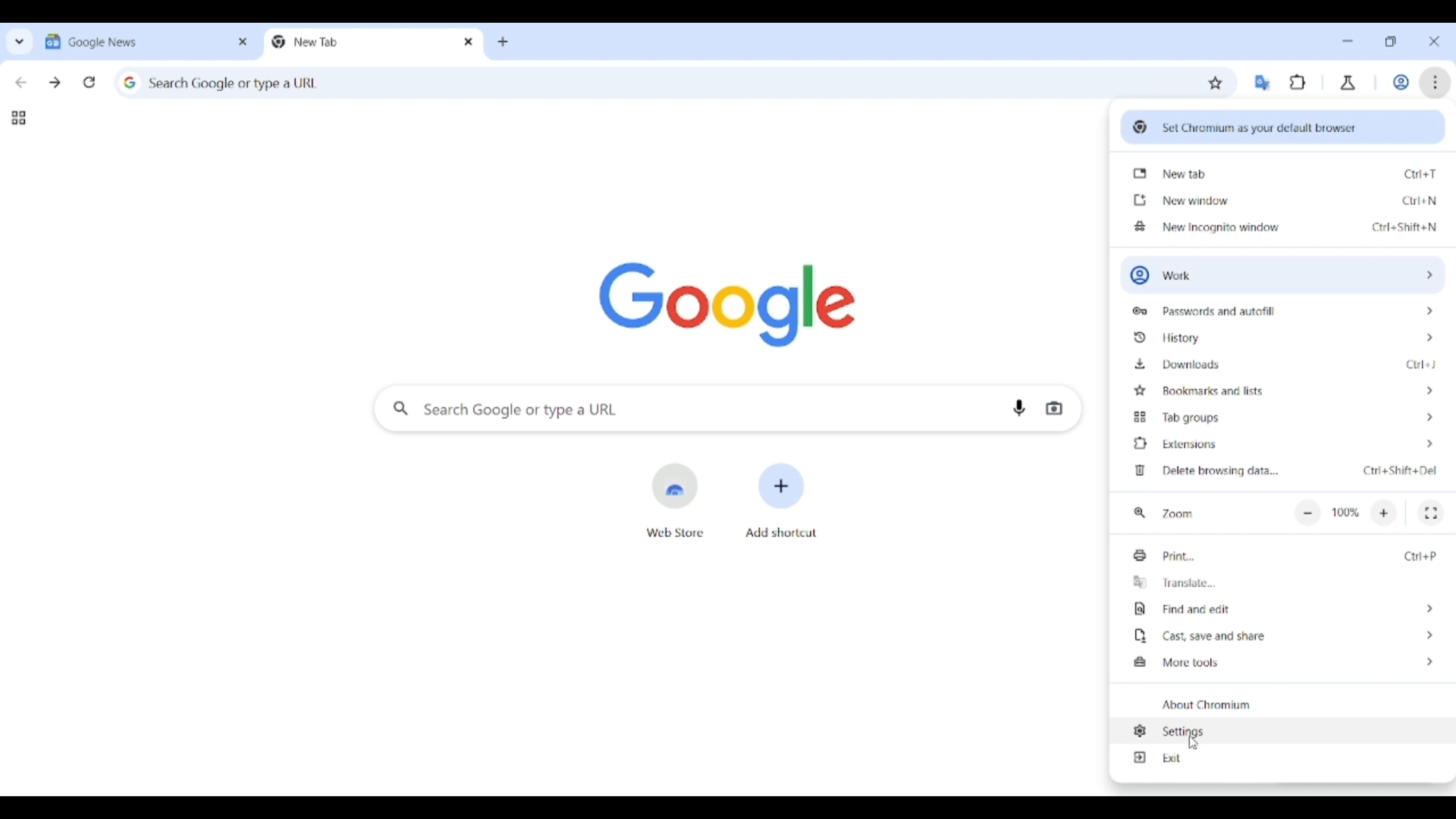  What do you see at coordinates (1282, 731) in the screenshot?
I see `Settings` at bounding box center [1282, 731].